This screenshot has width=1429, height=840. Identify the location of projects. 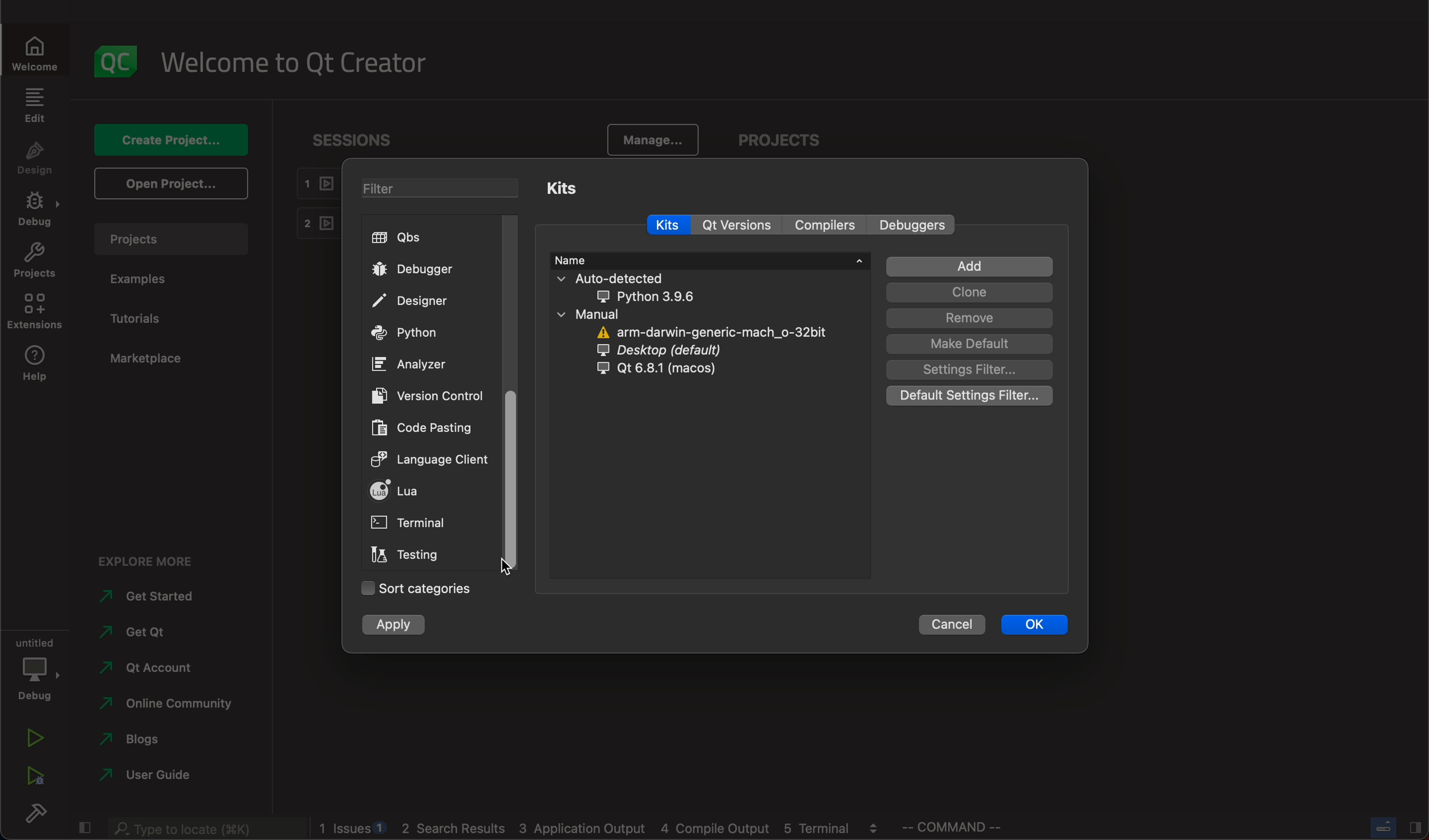
(35, 261).